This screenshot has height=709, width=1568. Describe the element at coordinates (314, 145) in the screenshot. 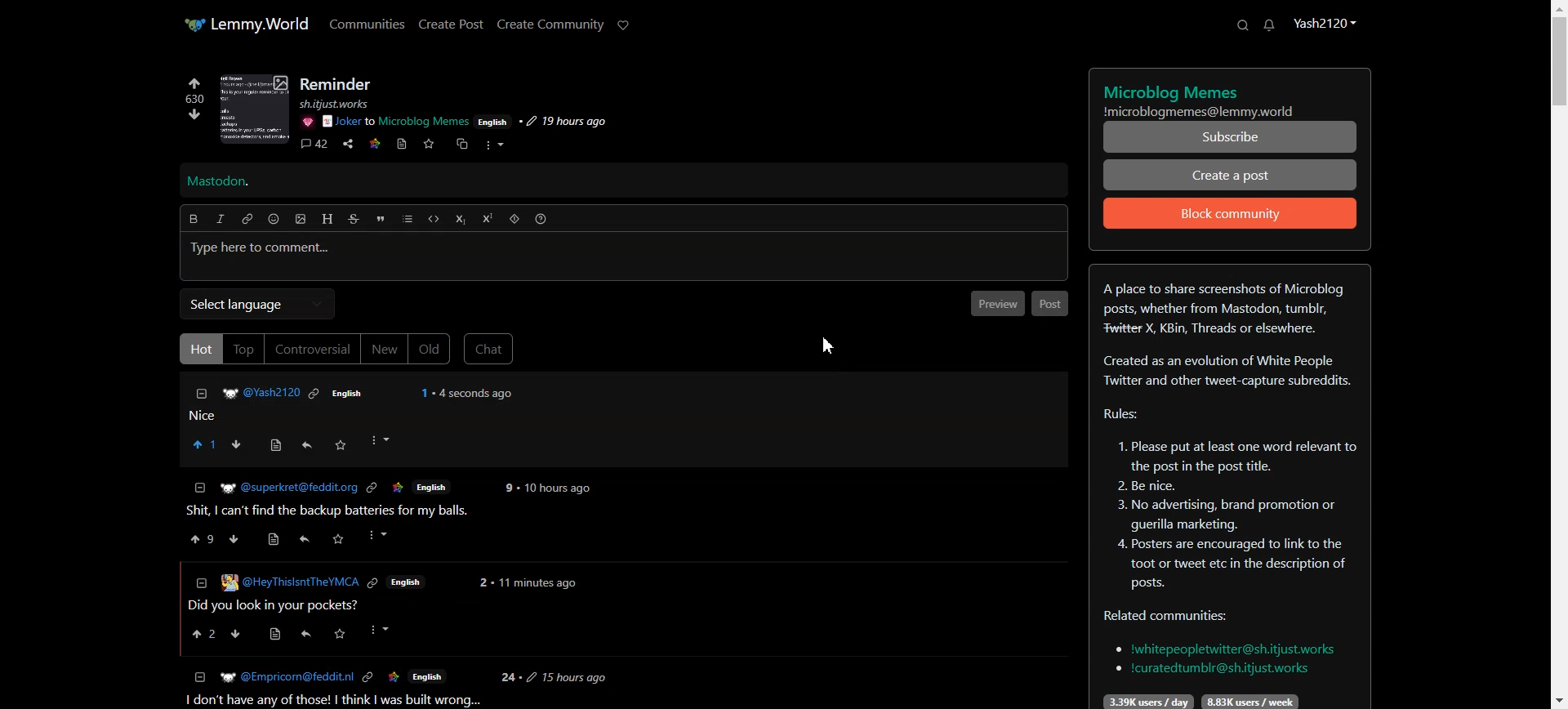

I see `Comment` at that location.